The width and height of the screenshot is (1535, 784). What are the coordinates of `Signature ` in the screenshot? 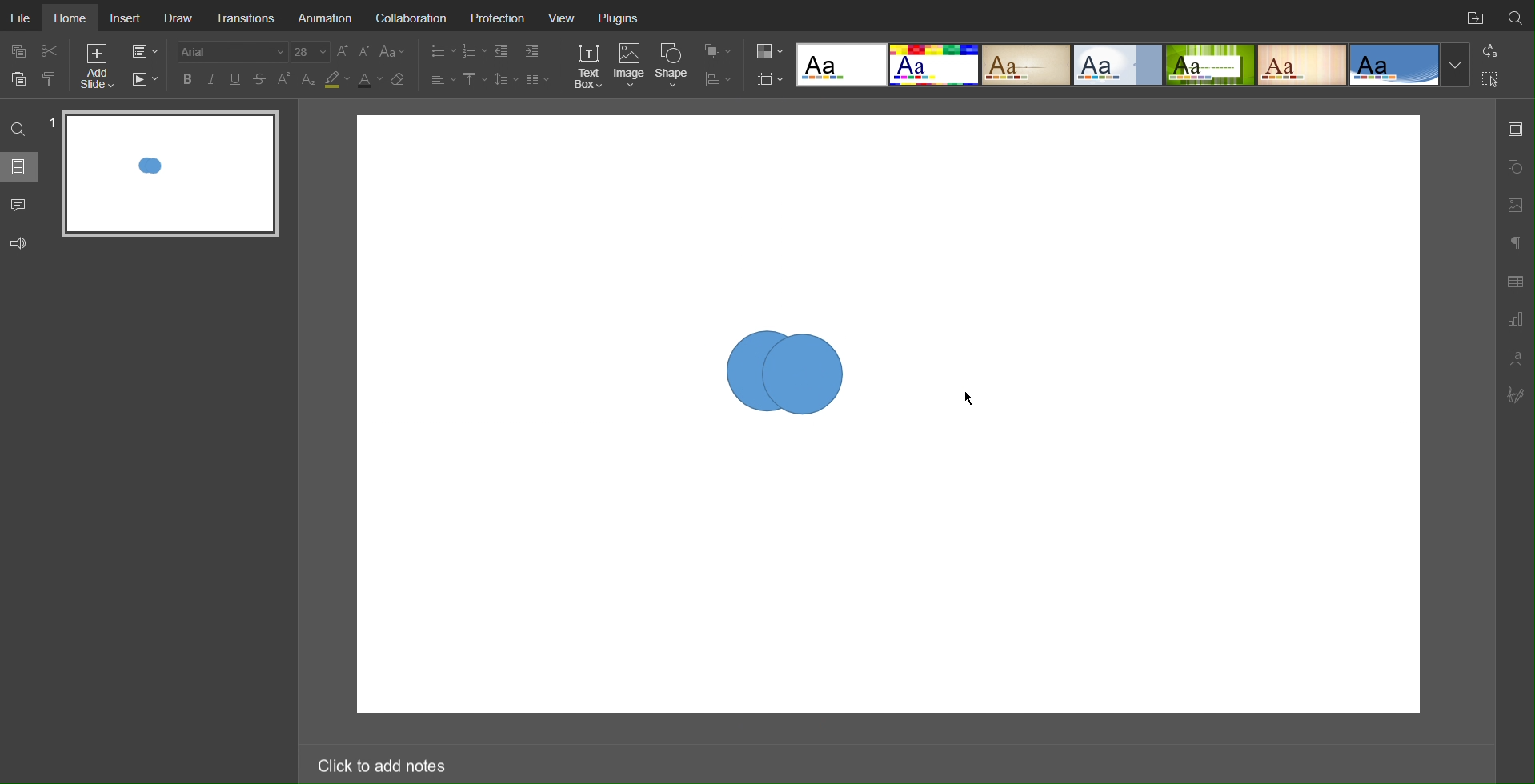 It's located at (1517, 395).